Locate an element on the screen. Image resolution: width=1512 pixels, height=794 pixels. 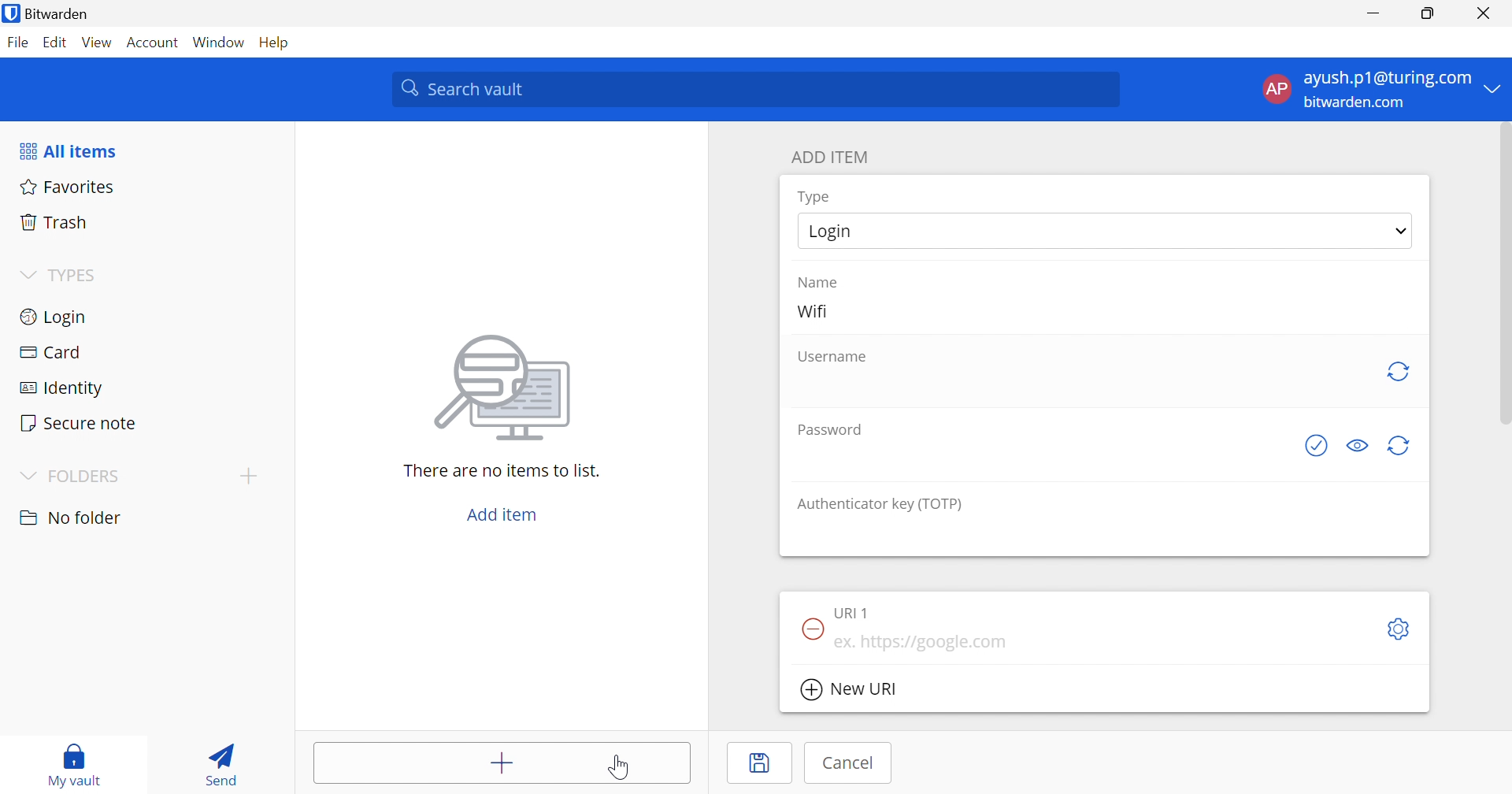
Cursor is located at coordinates (620, 766).